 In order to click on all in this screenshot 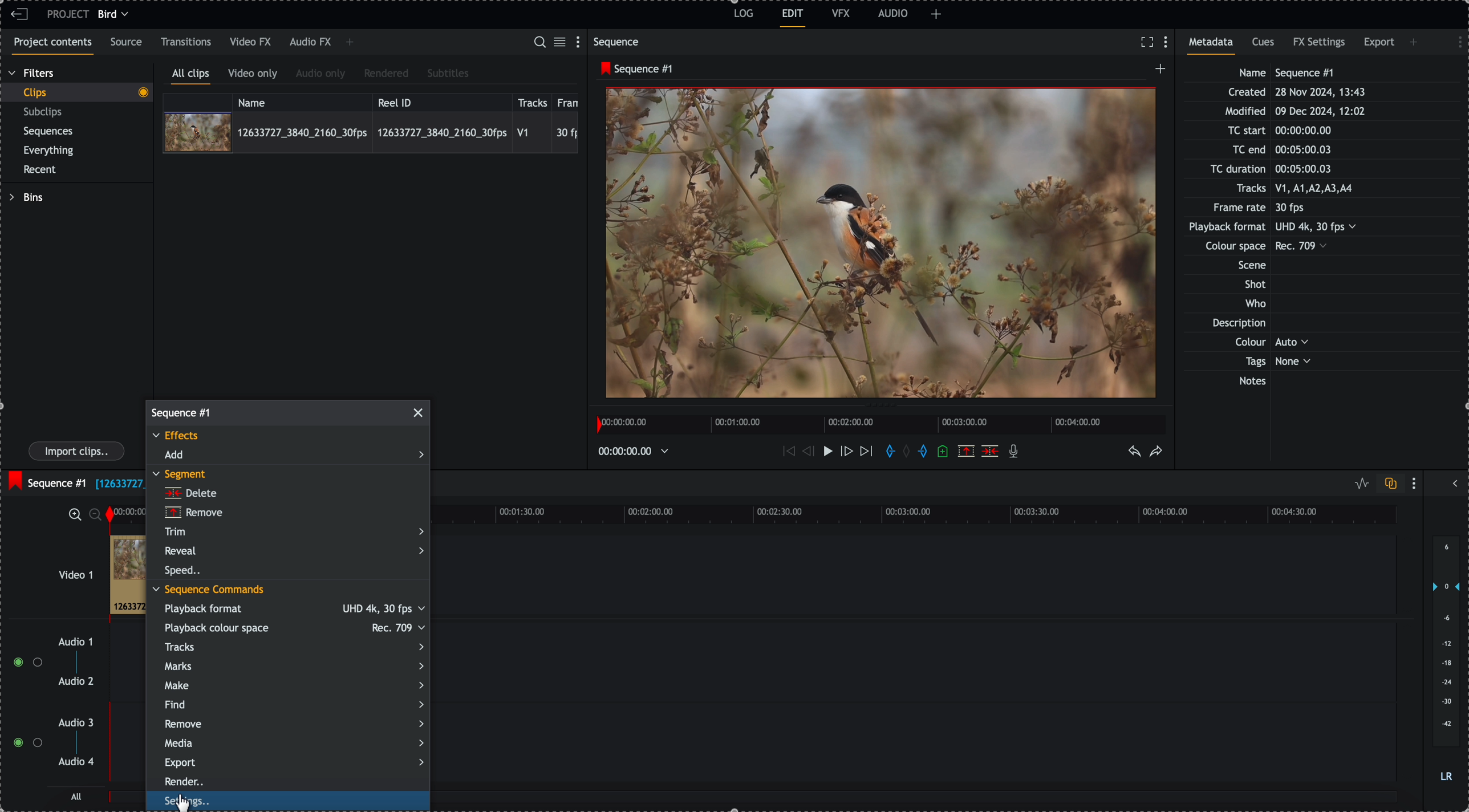, I will do `click(125, 801)`.